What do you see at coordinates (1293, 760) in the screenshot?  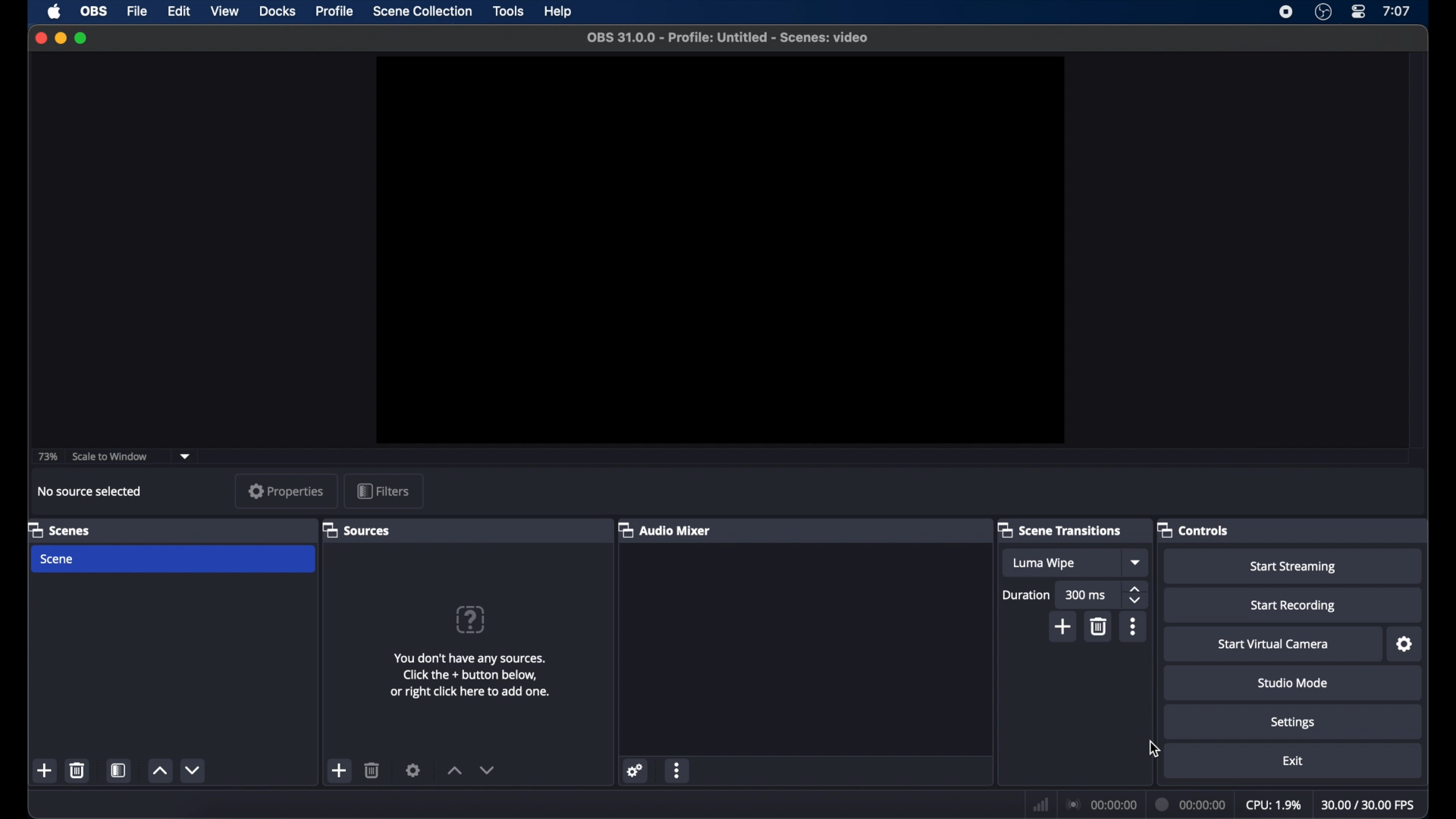 I see `exit` at bounding box center [1293, 760].